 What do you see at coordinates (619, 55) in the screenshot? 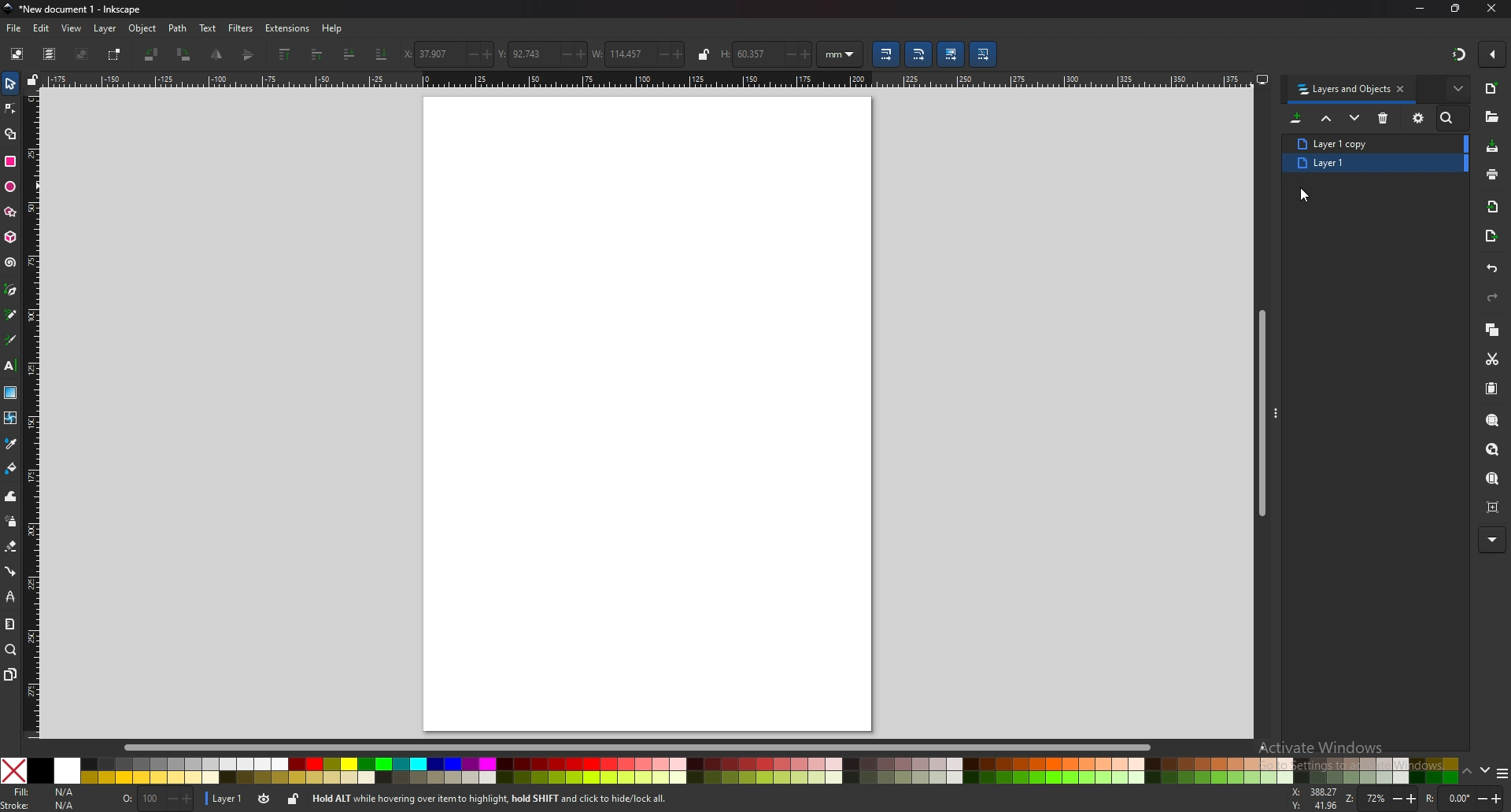
I see `width` at bounding box center [619, 55].